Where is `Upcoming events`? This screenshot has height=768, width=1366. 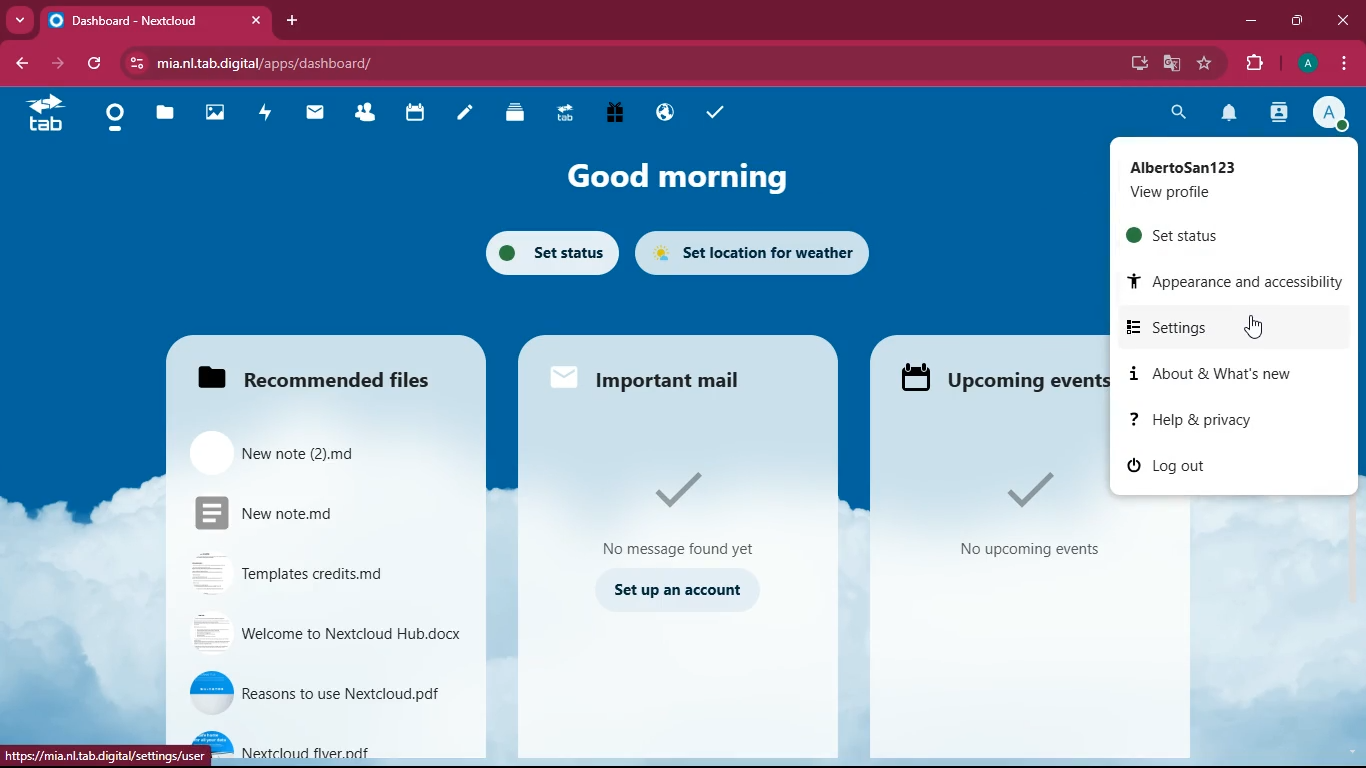
Upcoming events is located at coordinates (997, 379).